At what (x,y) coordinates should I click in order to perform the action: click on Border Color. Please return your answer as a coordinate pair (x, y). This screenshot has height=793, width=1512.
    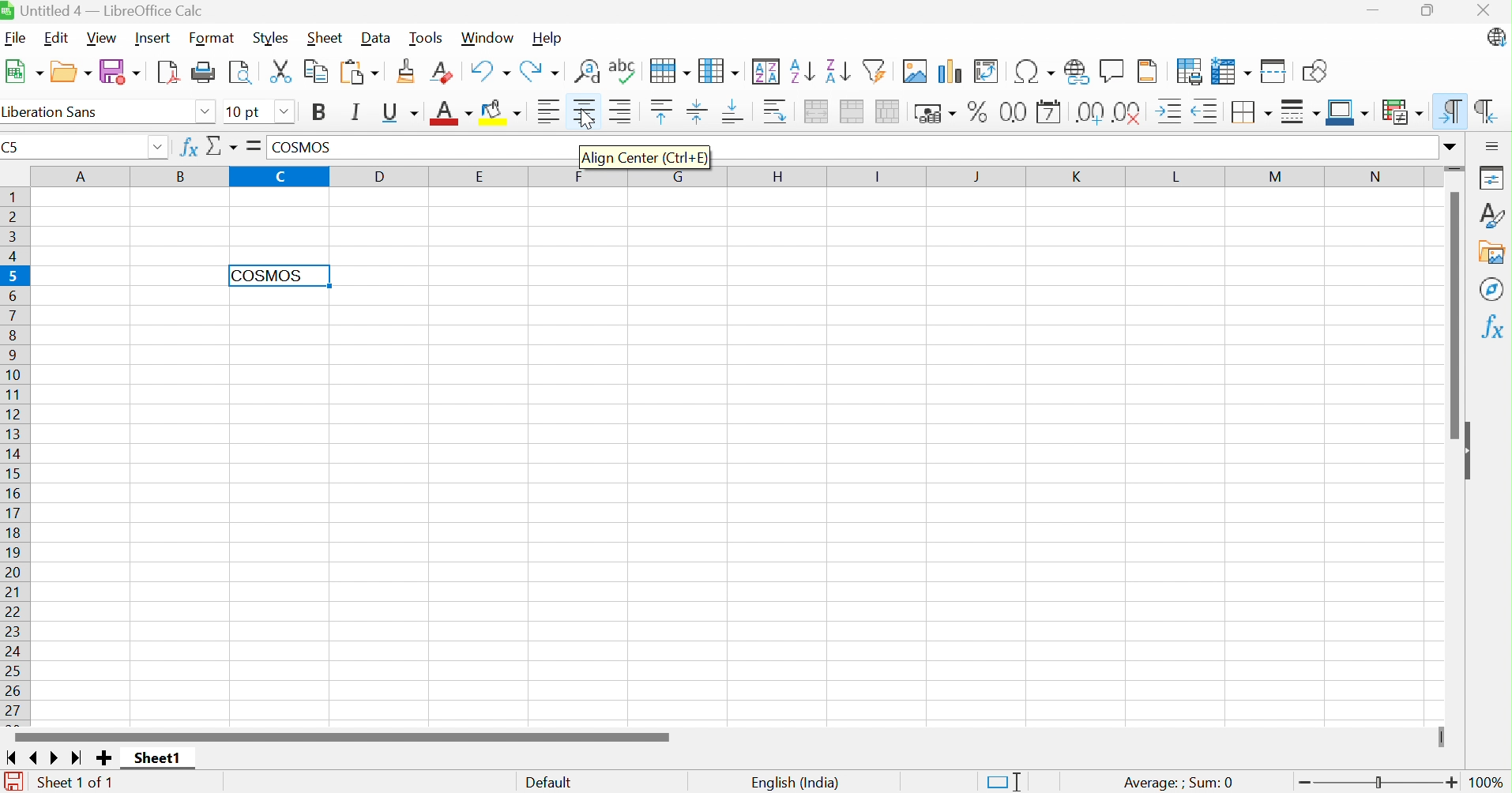
    Looking at the image, I should click on (1348, 111).